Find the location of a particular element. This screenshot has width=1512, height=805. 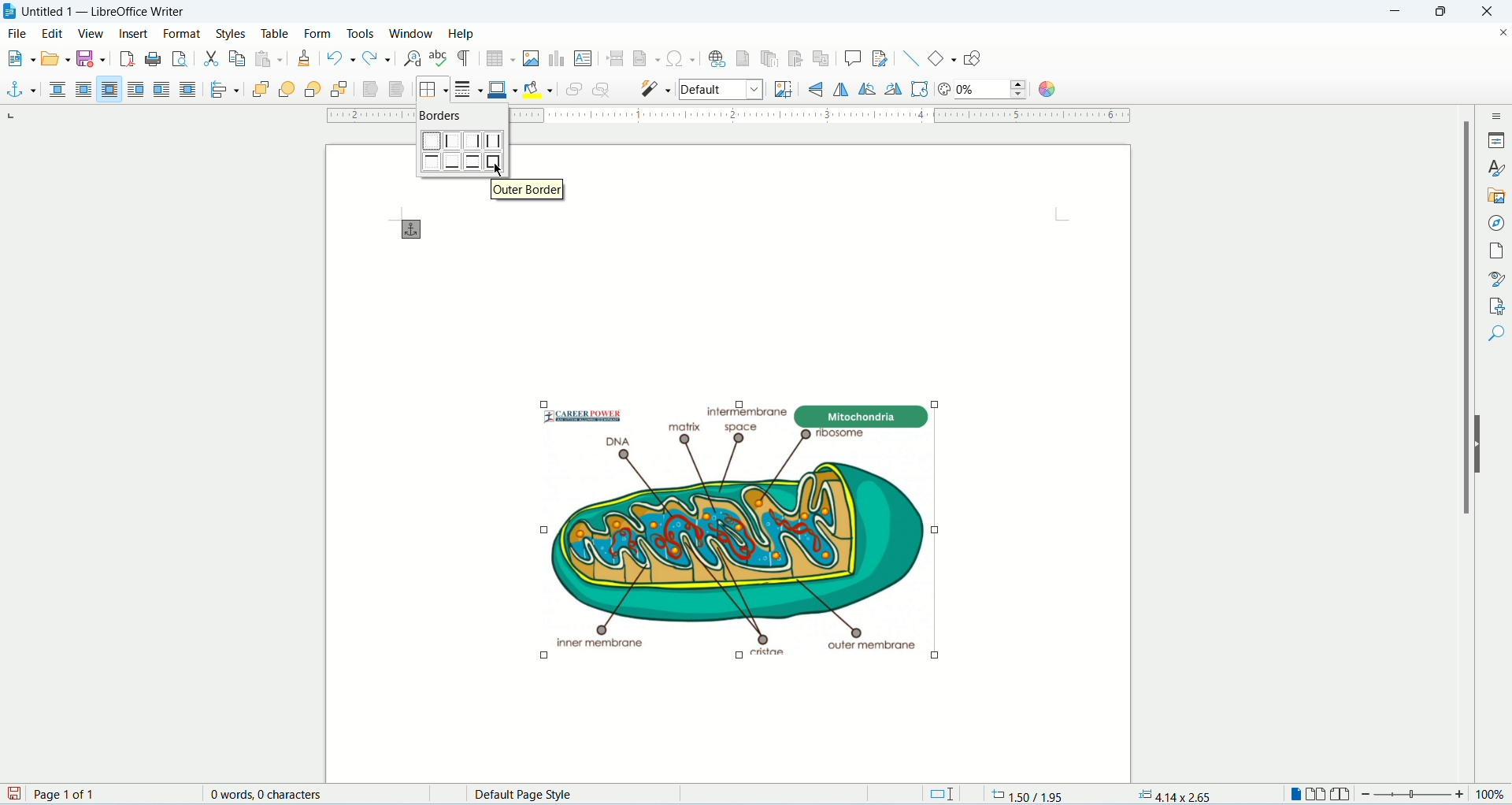

help is located at coordinates (459, 33).